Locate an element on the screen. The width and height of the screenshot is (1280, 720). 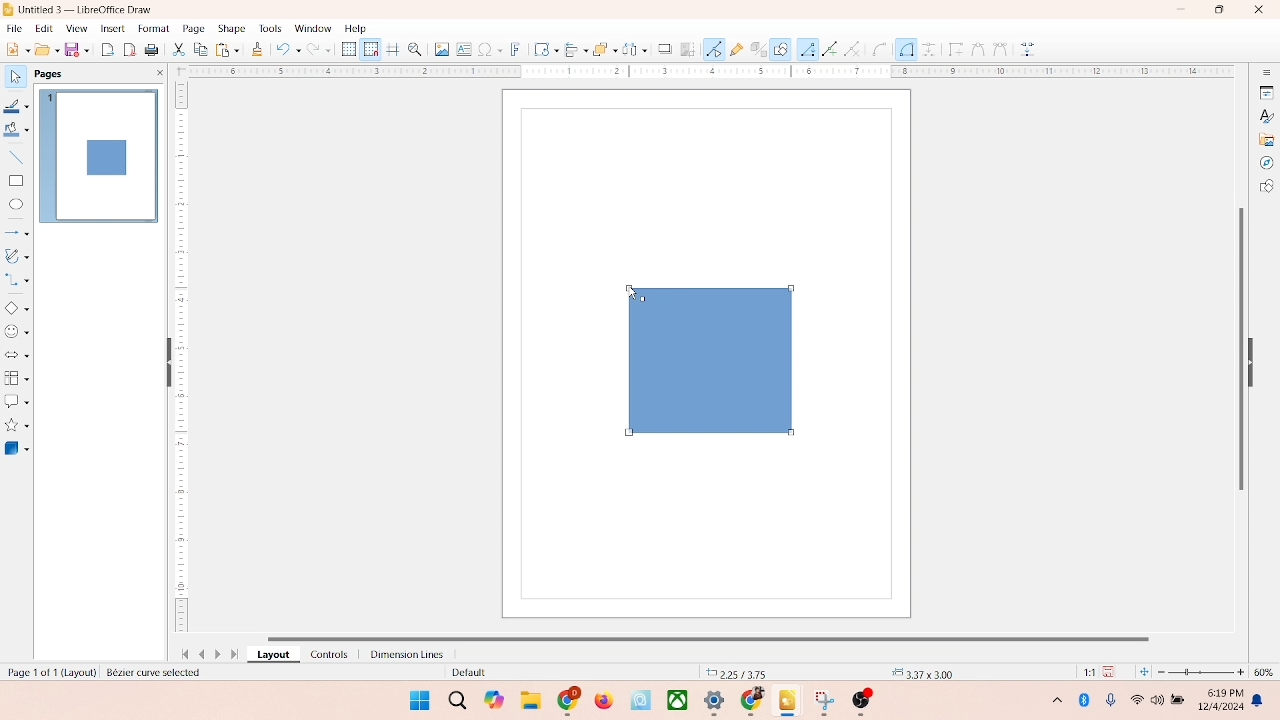
point edit mode is located at coordinates (714, 48).